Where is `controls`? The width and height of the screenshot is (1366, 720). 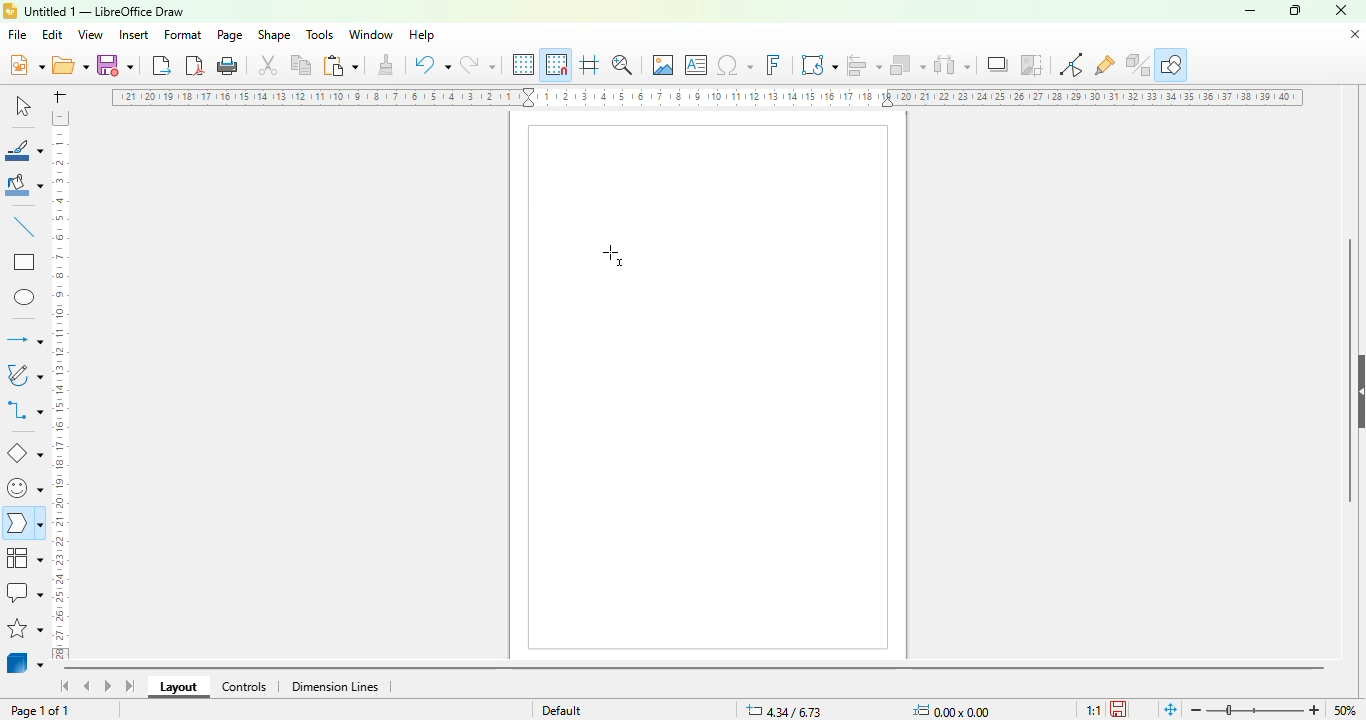 controls is located at coordinates (244, 687).